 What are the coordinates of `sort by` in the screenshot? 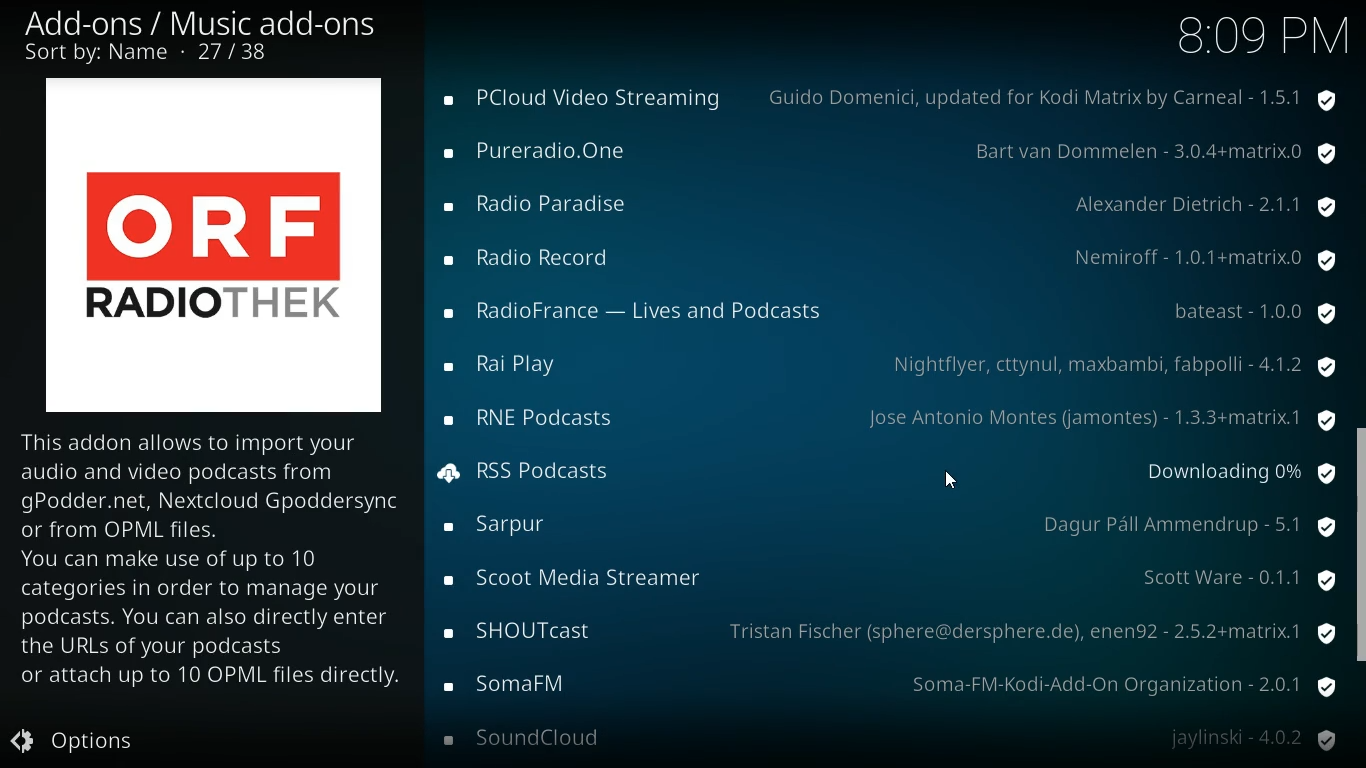 It's located at (153, 54).